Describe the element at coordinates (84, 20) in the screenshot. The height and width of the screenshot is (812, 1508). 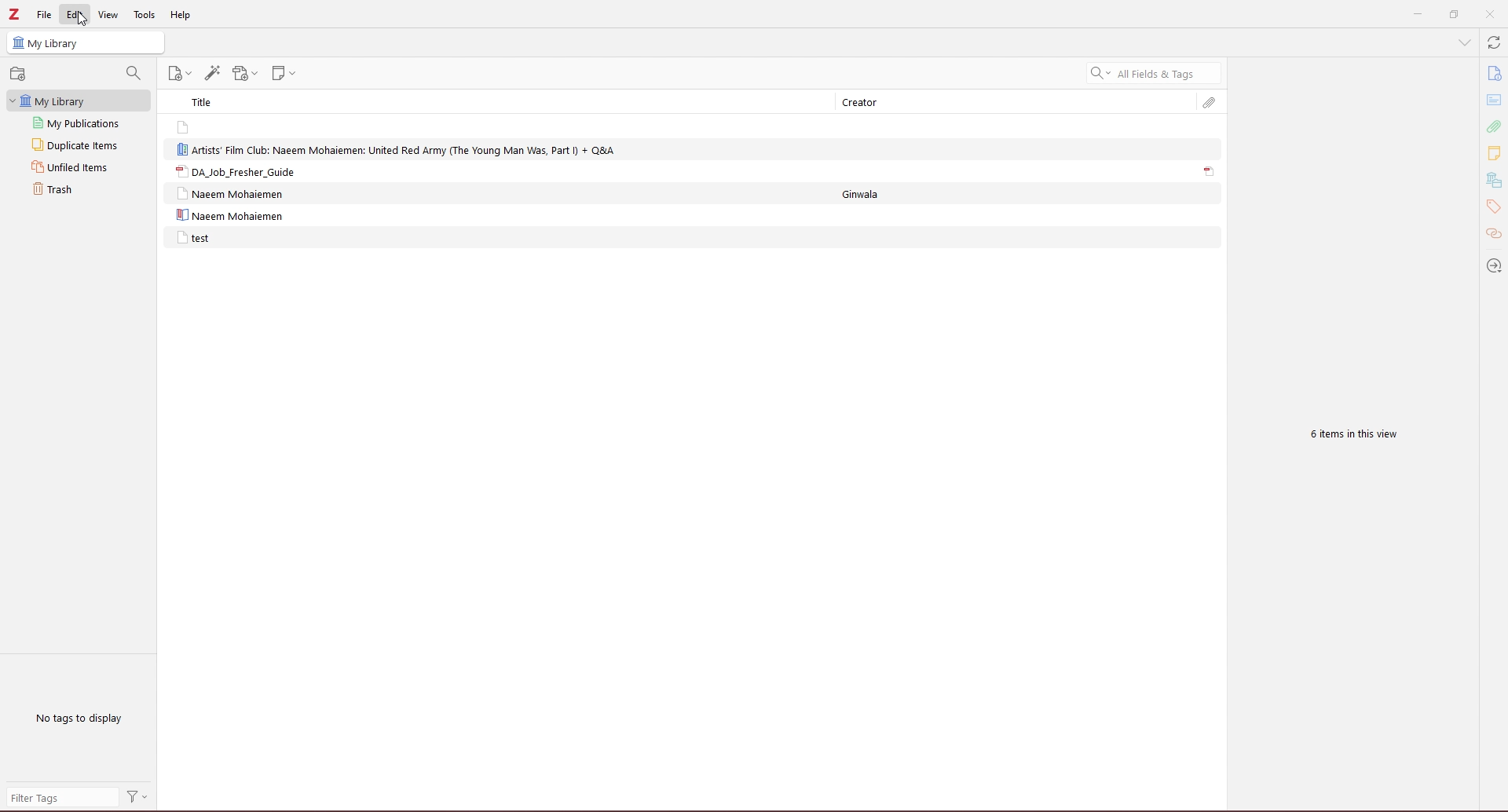
I see `Cursor` at that location.